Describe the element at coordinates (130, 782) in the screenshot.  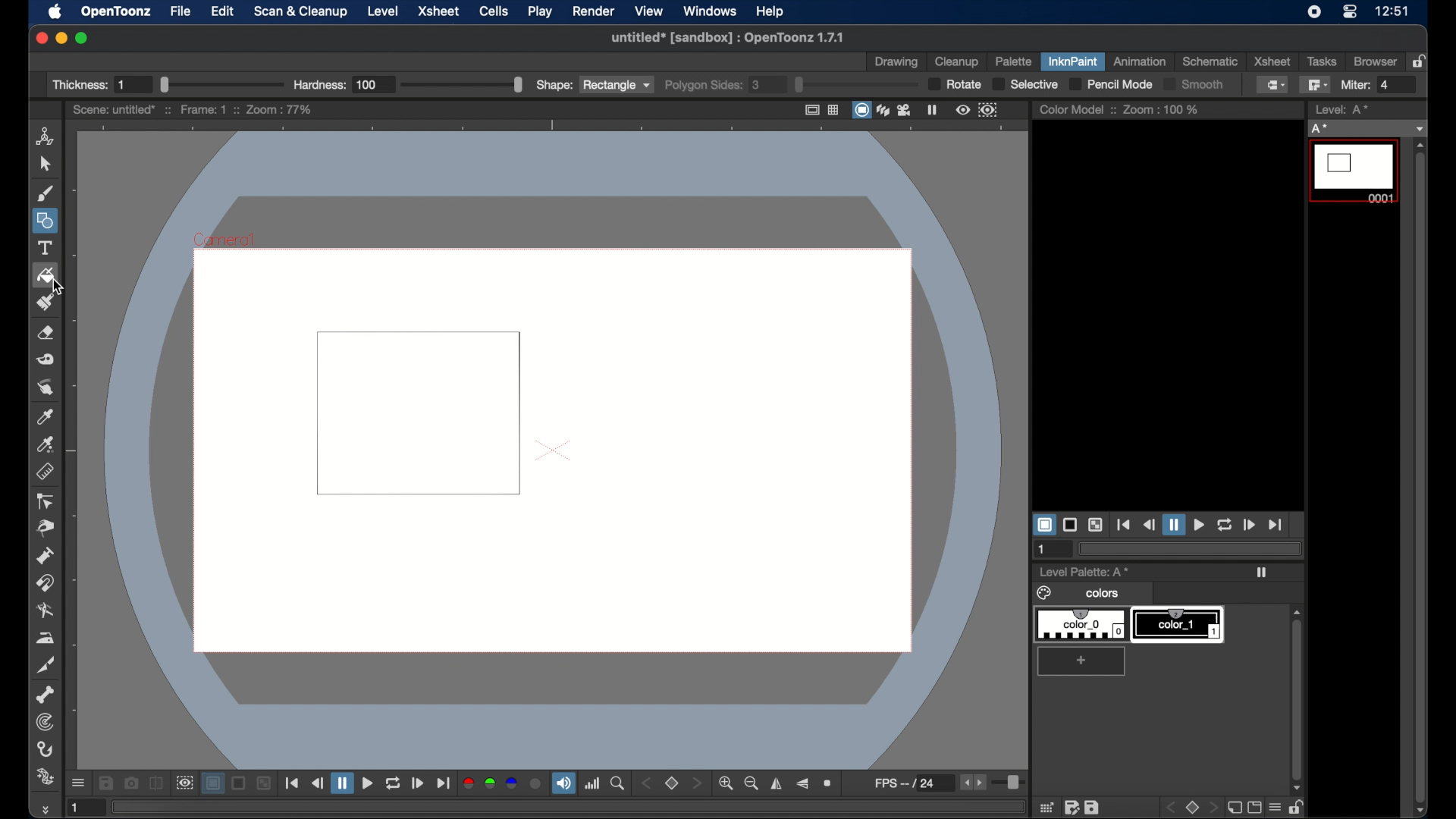
I see `snapshot` at that location.